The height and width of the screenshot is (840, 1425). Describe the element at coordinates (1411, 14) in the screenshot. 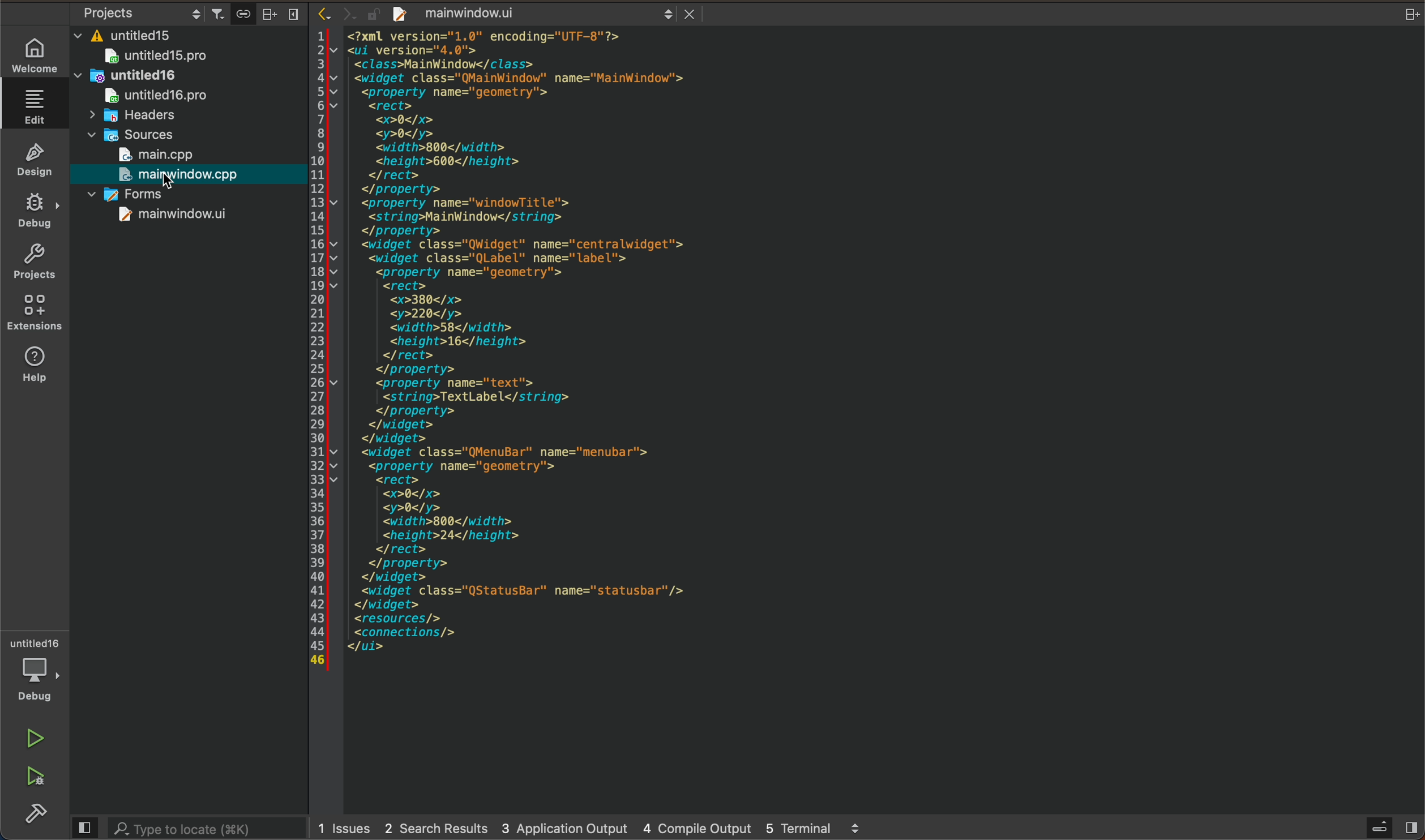

I see `split tab` at that location.